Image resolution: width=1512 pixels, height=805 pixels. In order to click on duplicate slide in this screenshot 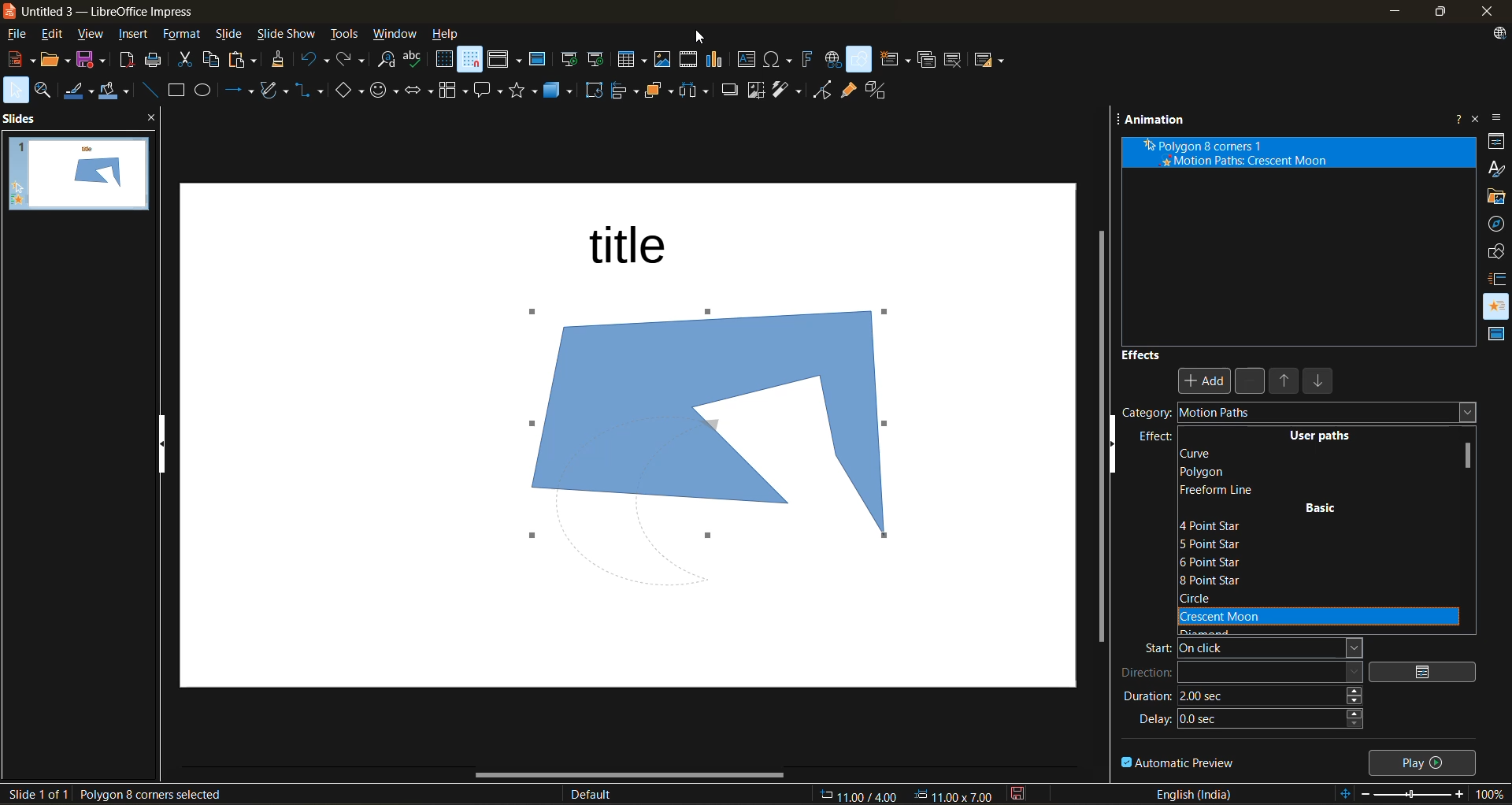, I will do `click(927, 60)`.